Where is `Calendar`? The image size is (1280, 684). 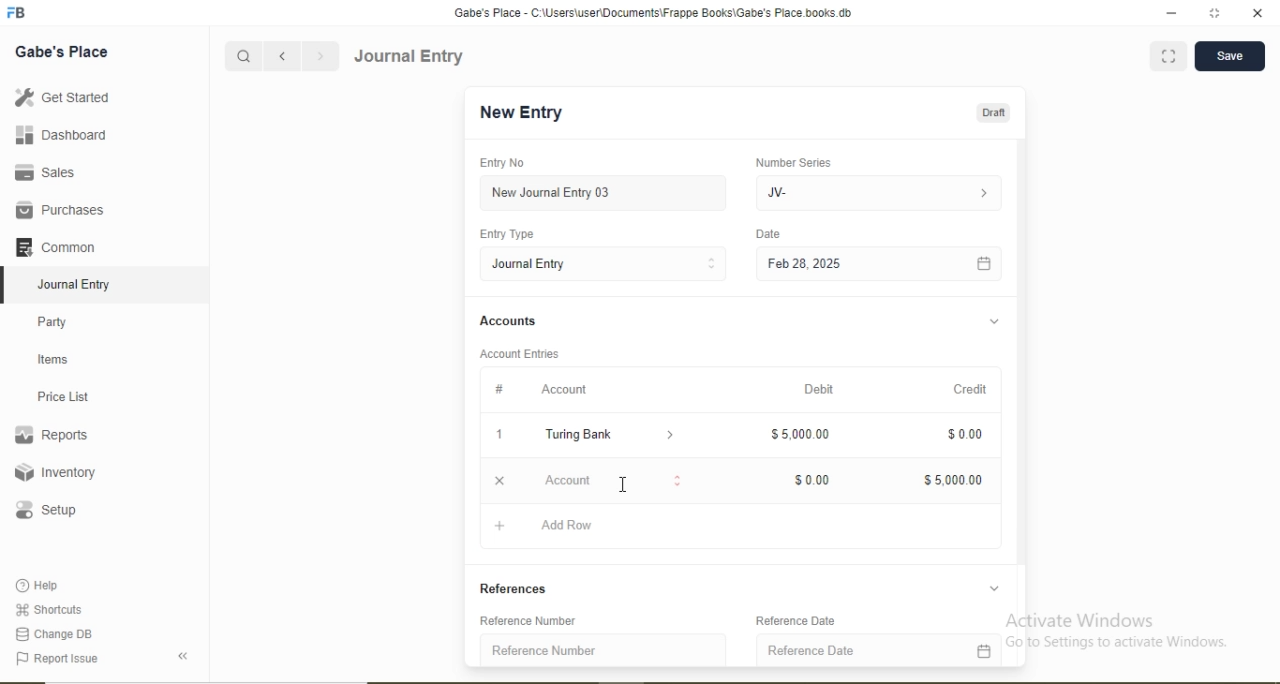 Calendar is located at coordinates (984, 265).